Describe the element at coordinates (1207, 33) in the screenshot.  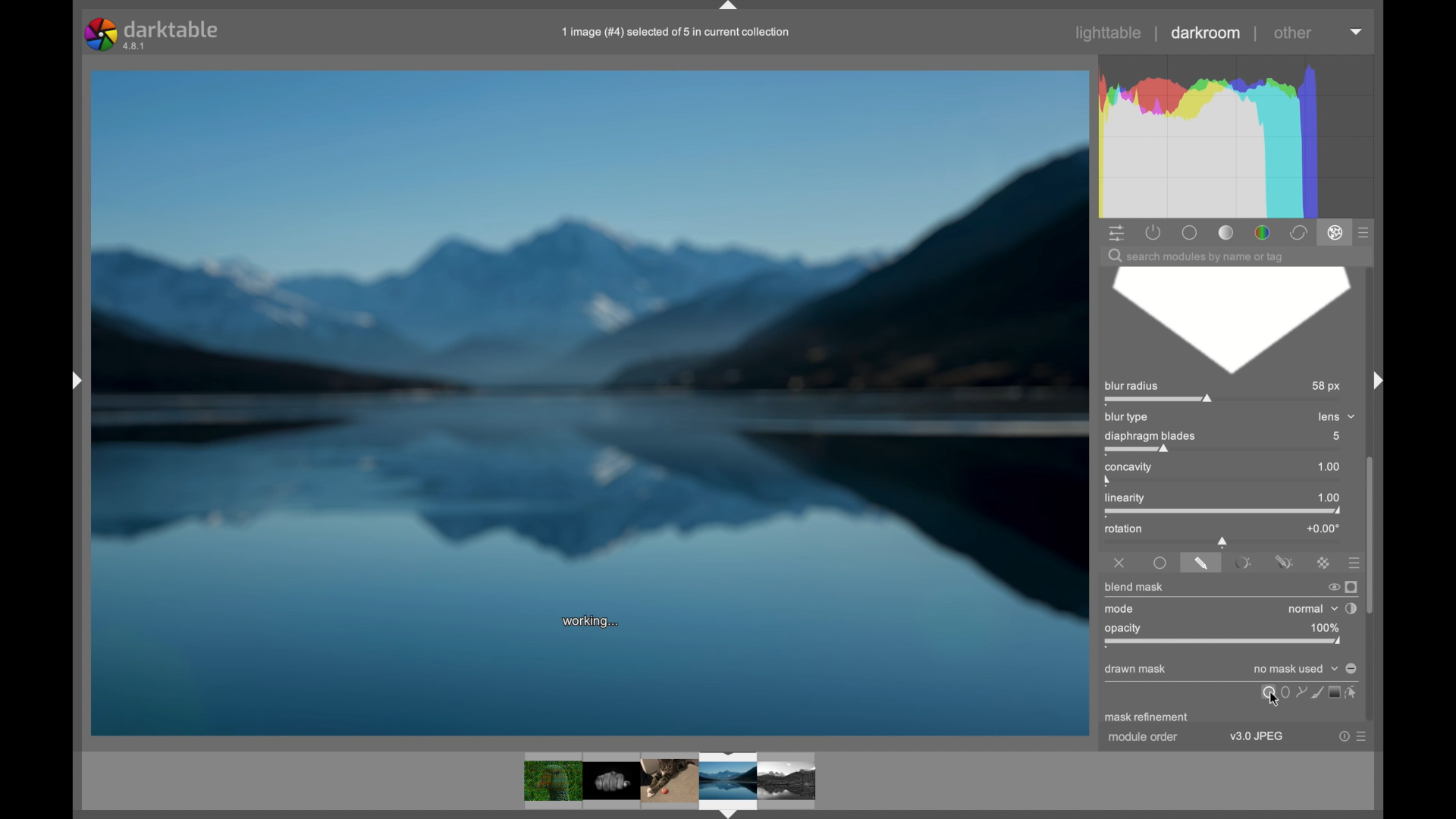
I see `darkroom` at that location.